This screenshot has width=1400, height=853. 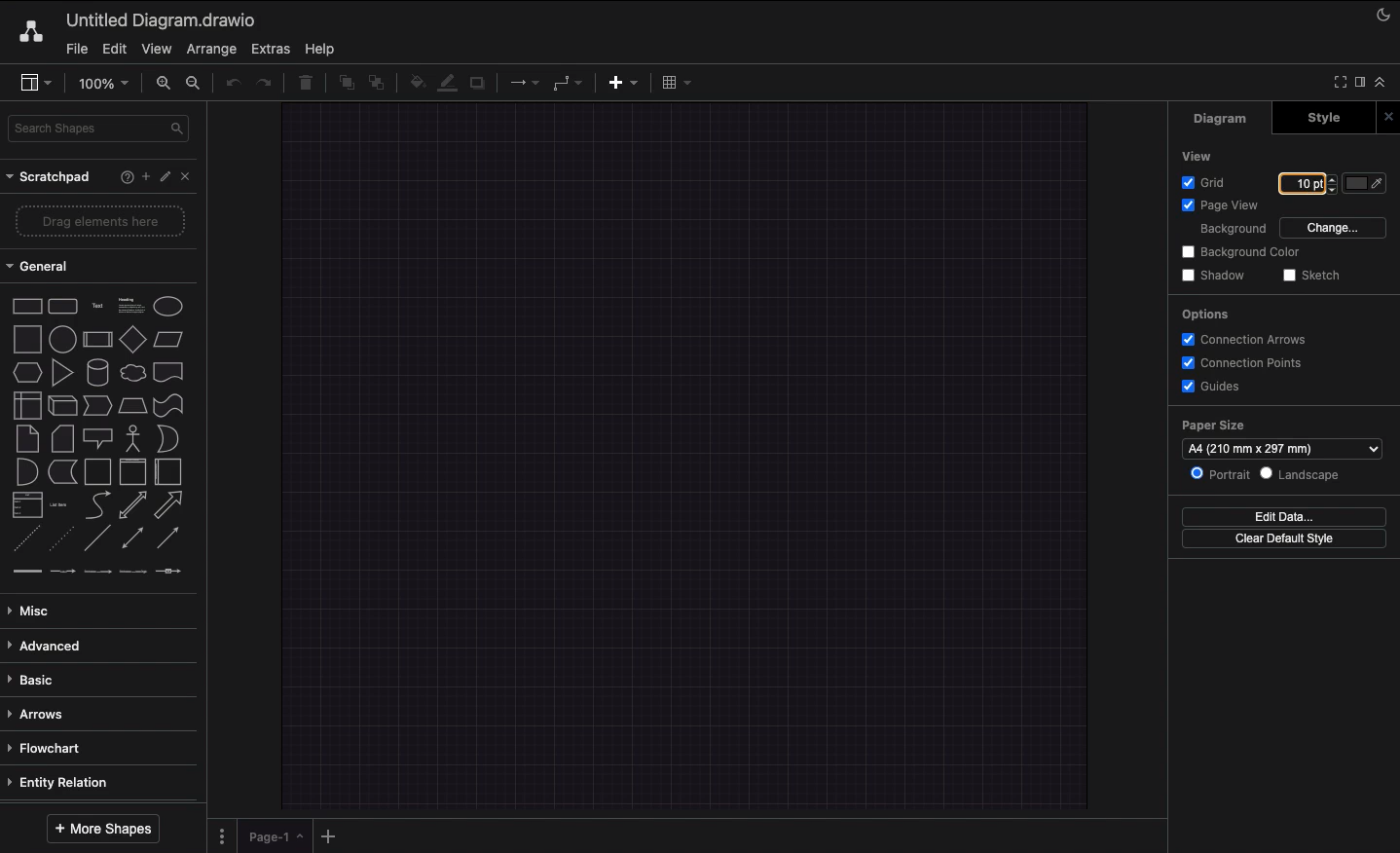 What do you see at coordinates (1316, 276) in the screenshot?
I see `Sketch` at bounding box center [1316, 276].